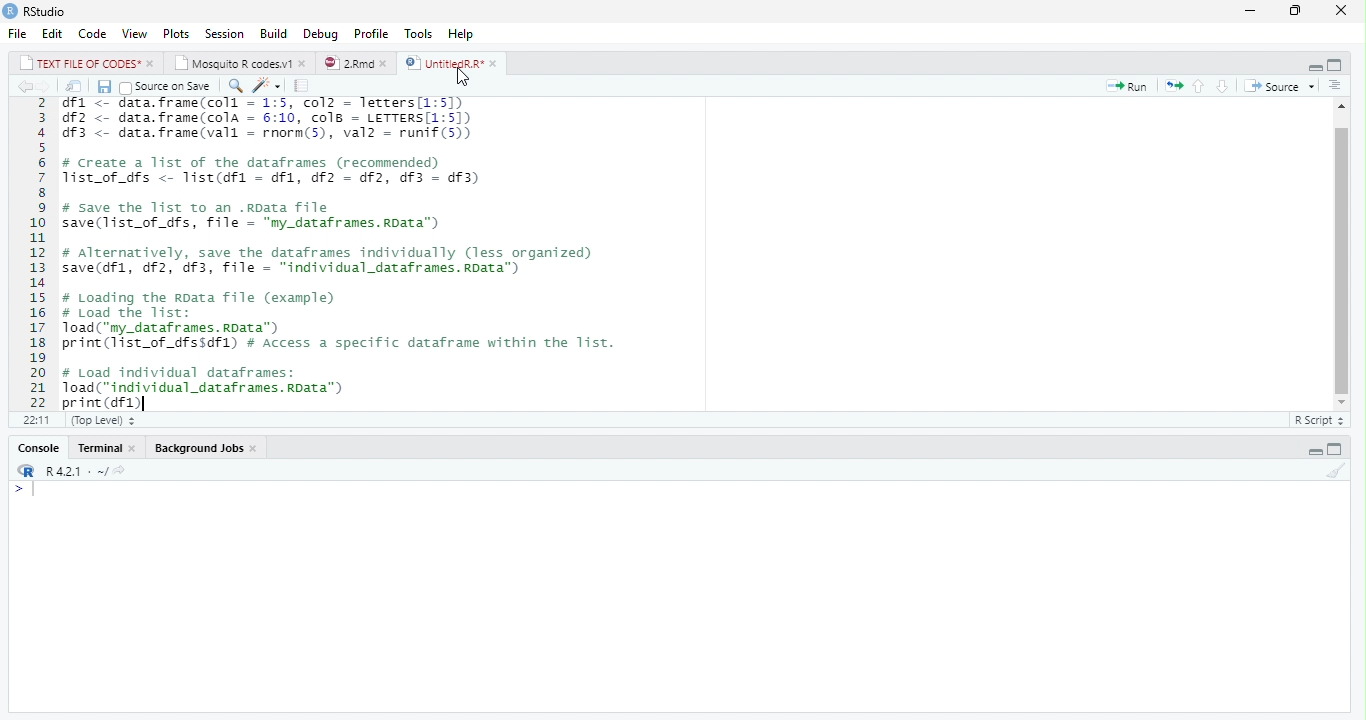  Describe the element at coordinates (1335, 86) in the screenshot. I see `Outline` at that location.